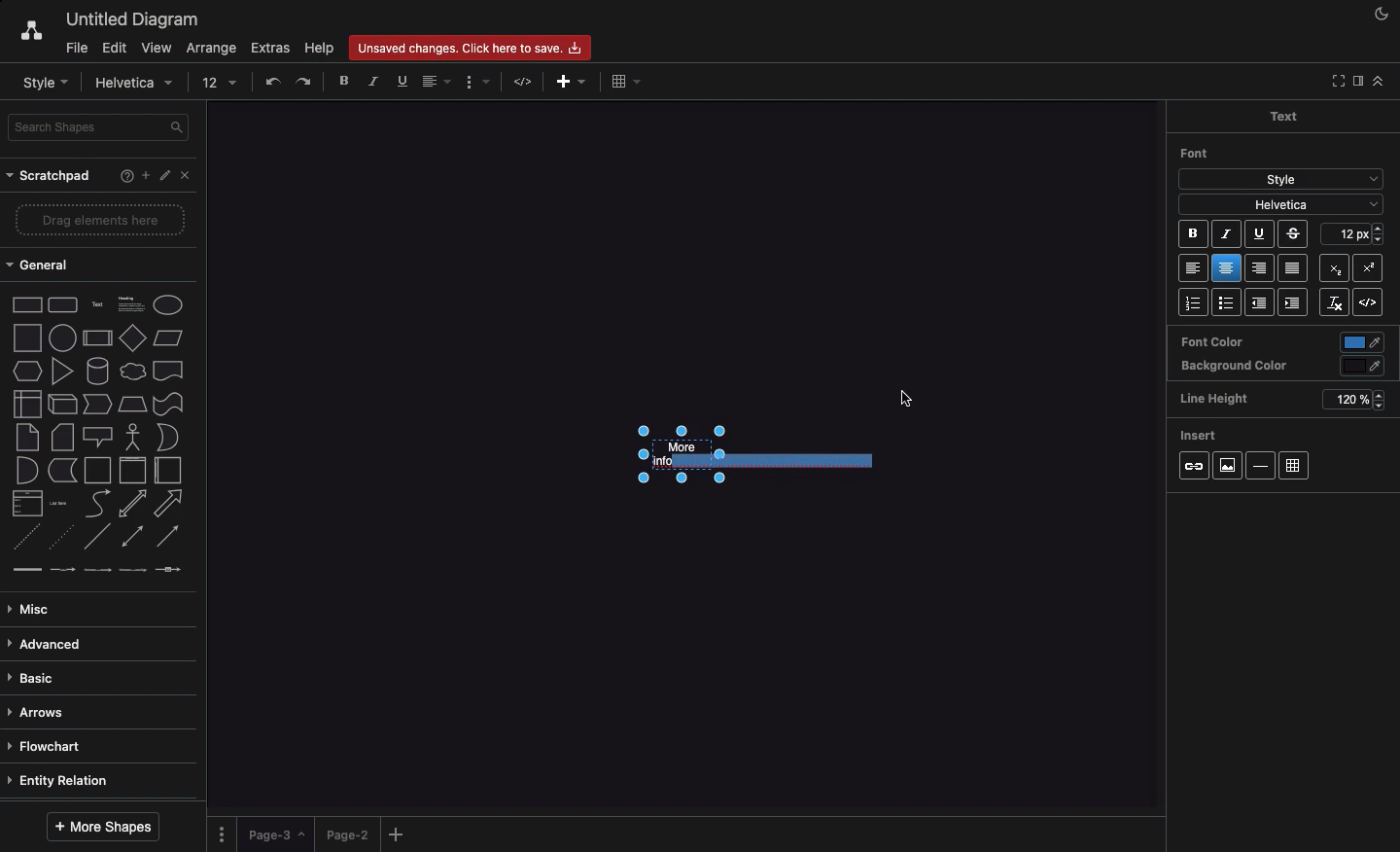 This screenshot has height=852, width=1400. What do you see at coordinates (97, 338) in the screenshot?
I see `process` at bounding box center [97, 338].